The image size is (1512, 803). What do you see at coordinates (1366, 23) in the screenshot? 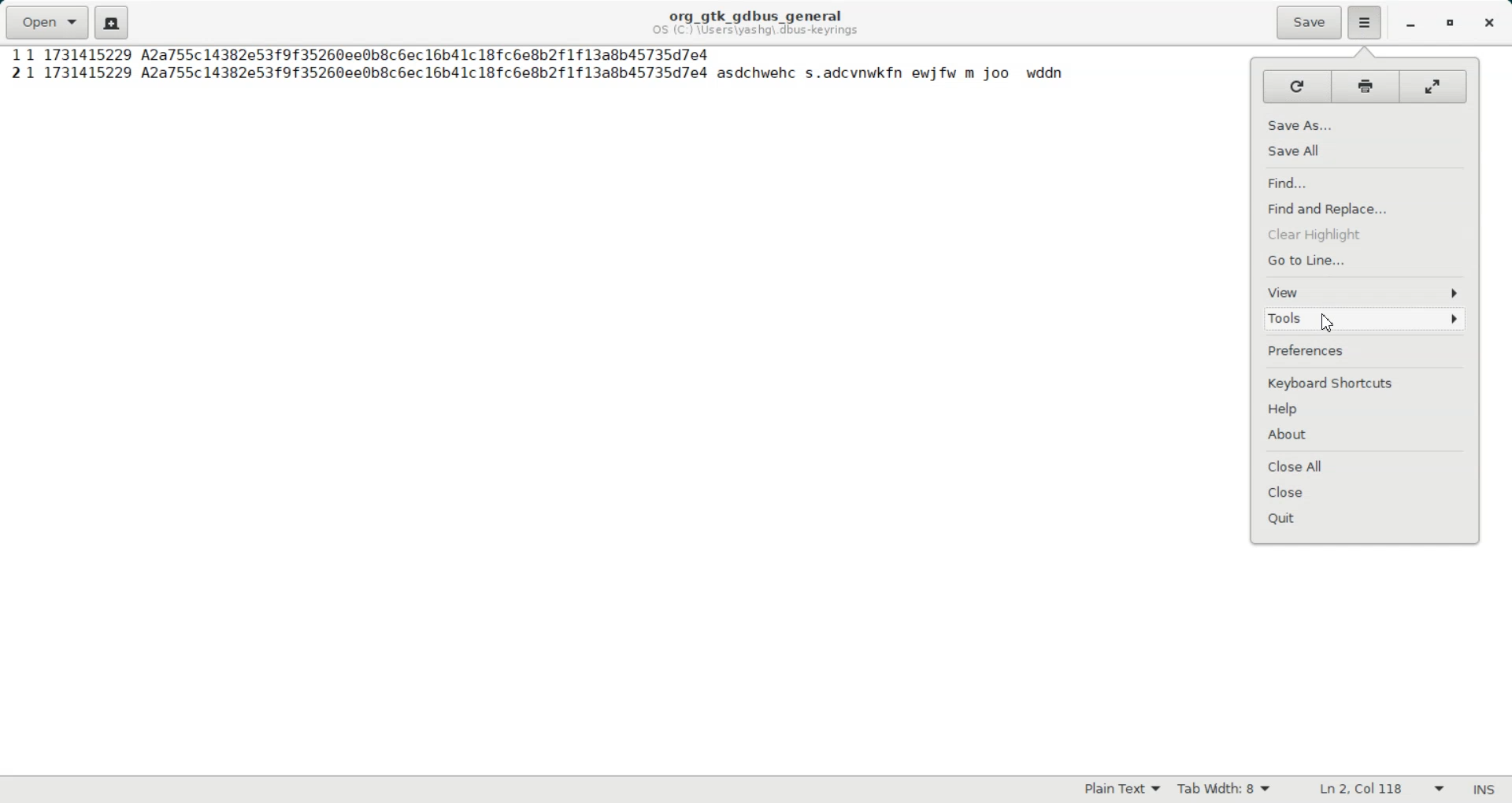
I see `Hamburger settings` at bounding box center [1366, 23].